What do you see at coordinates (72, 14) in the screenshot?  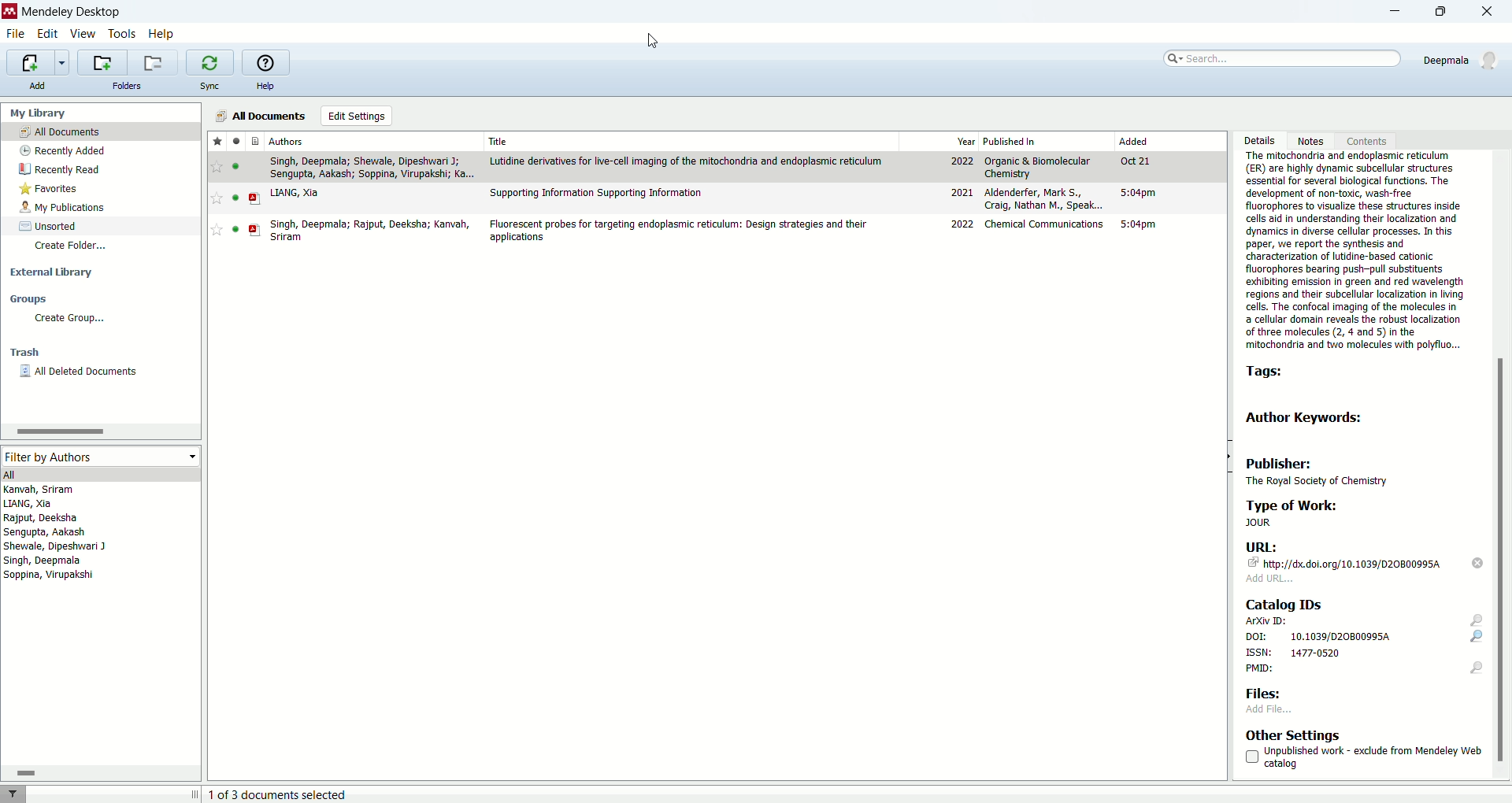 I see `mendeley desktop` at bounding box center [72, 14].